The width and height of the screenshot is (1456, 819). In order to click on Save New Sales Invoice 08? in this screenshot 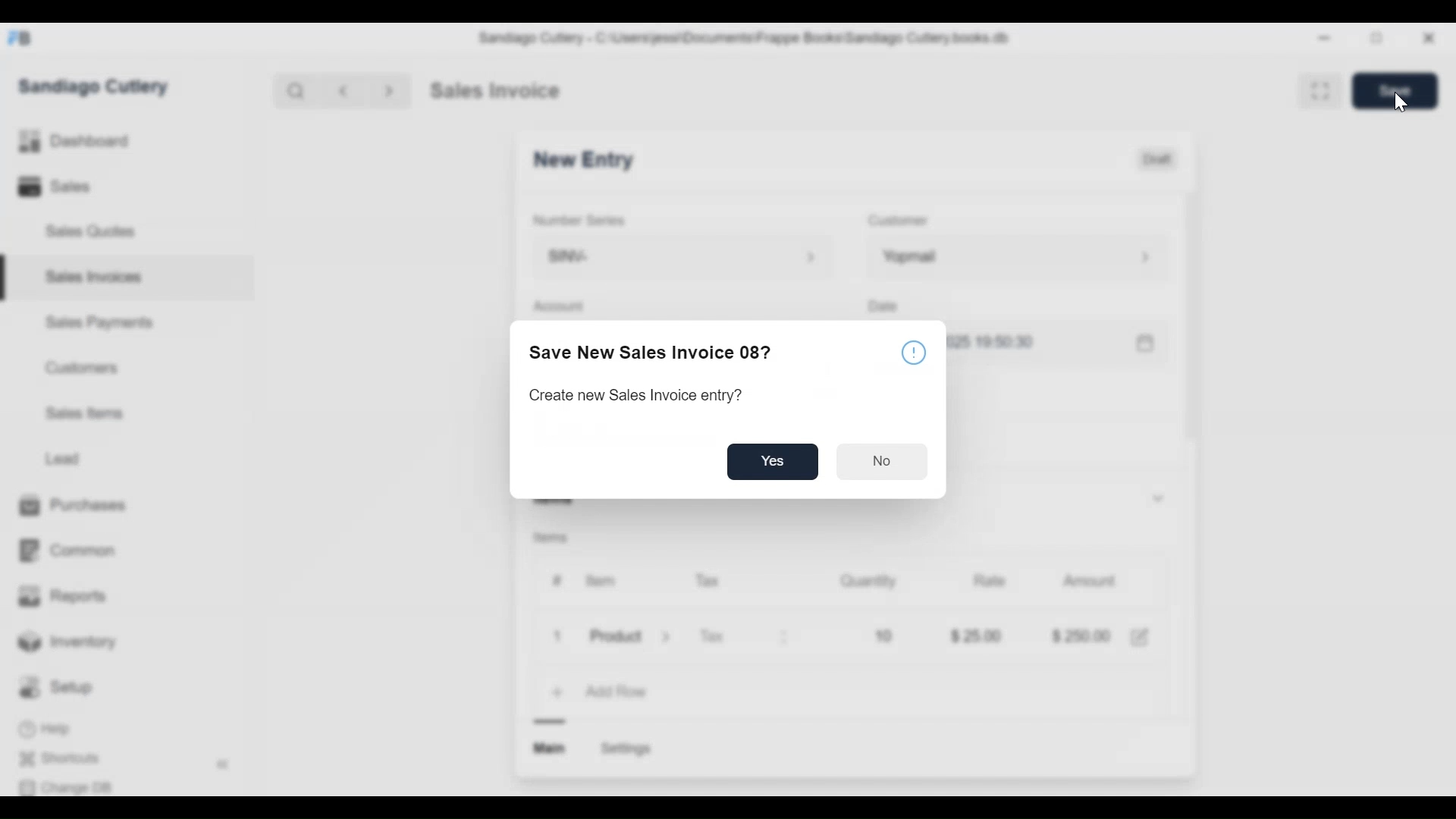, I will do `click(649, 354)`.